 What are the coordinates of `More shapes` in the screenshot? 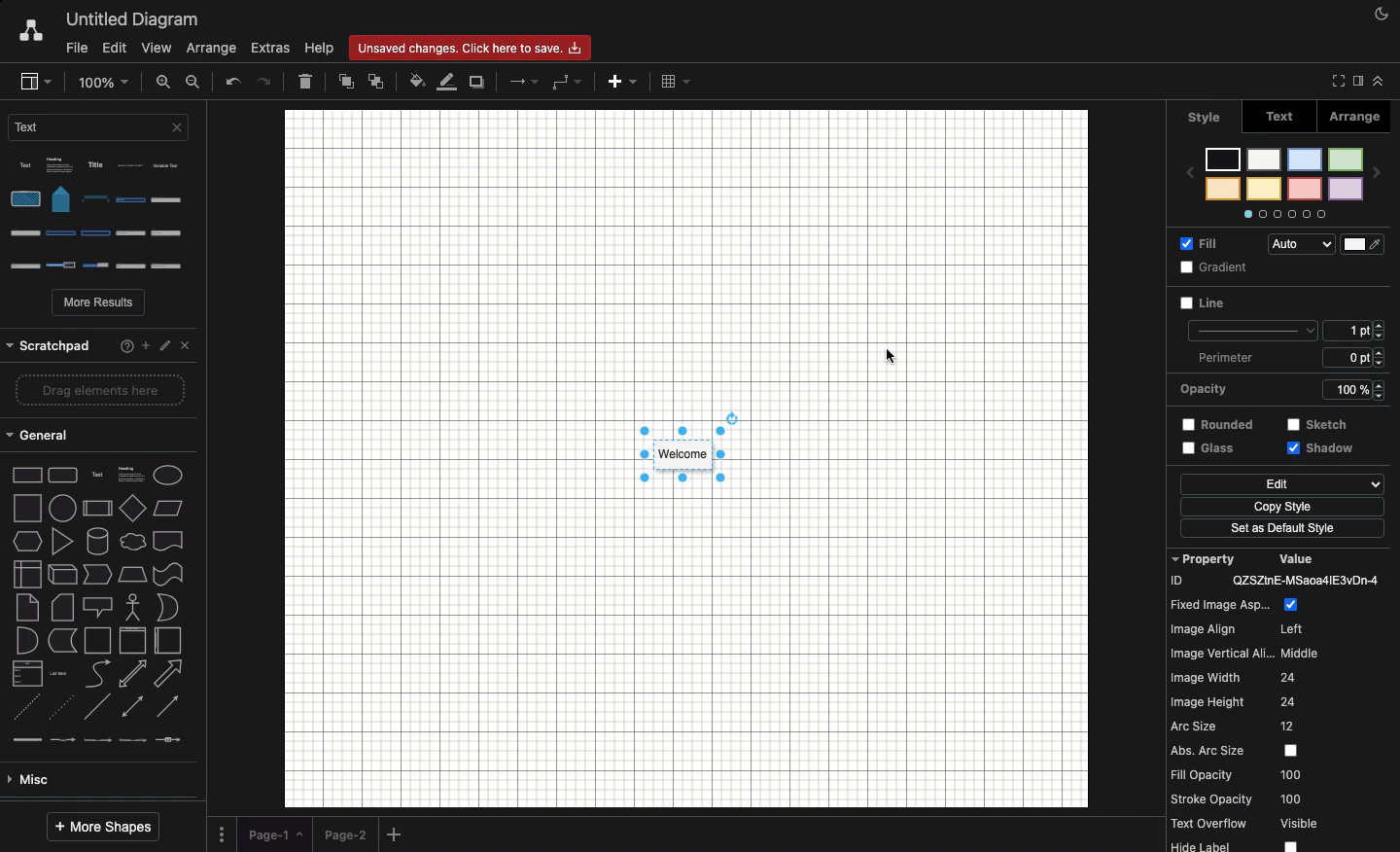 It's located at (102, 828).